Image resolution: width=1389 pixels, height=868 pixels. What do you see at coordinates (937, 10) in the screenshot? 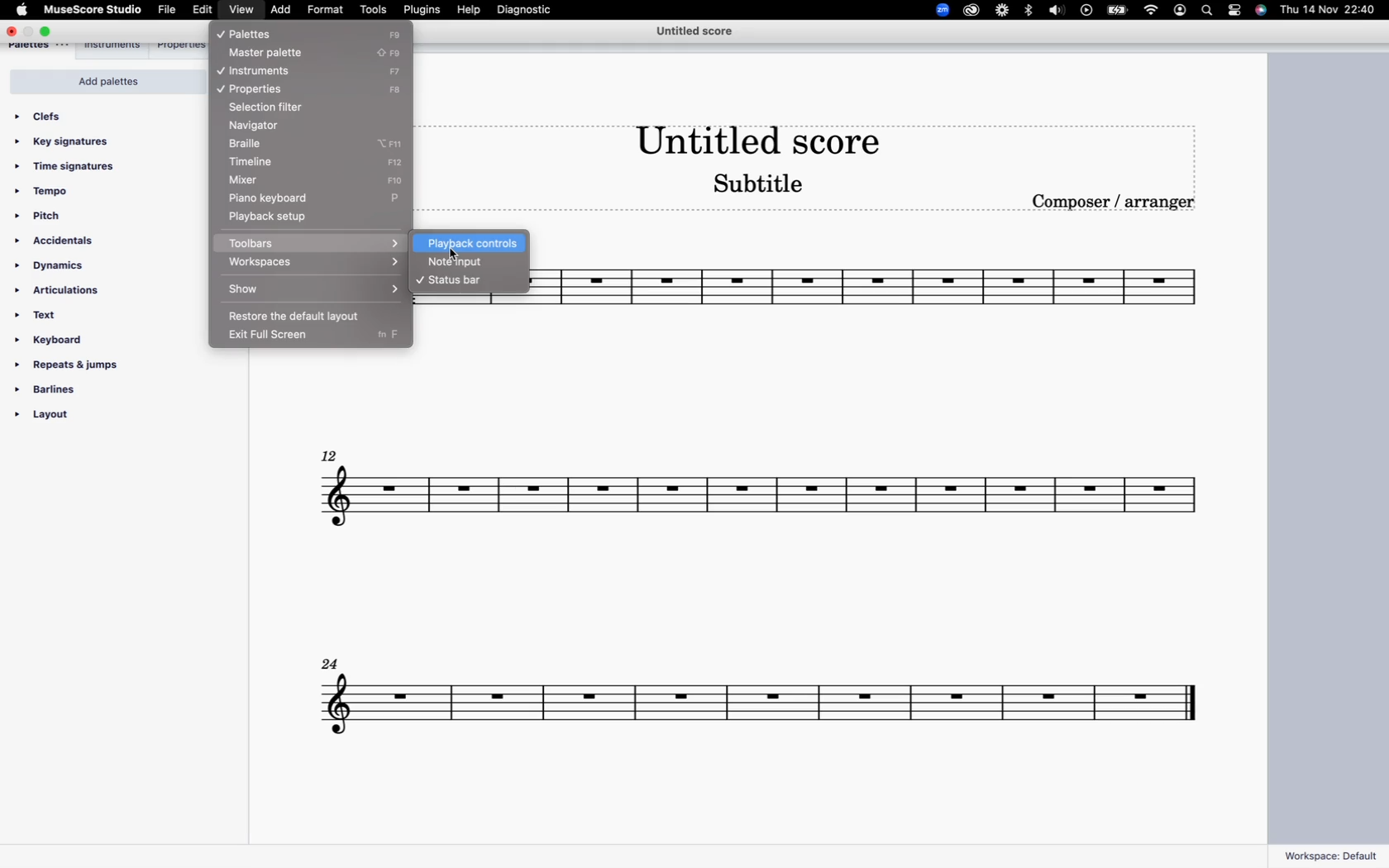
I see `zoom` at bounding box center [937, 10].